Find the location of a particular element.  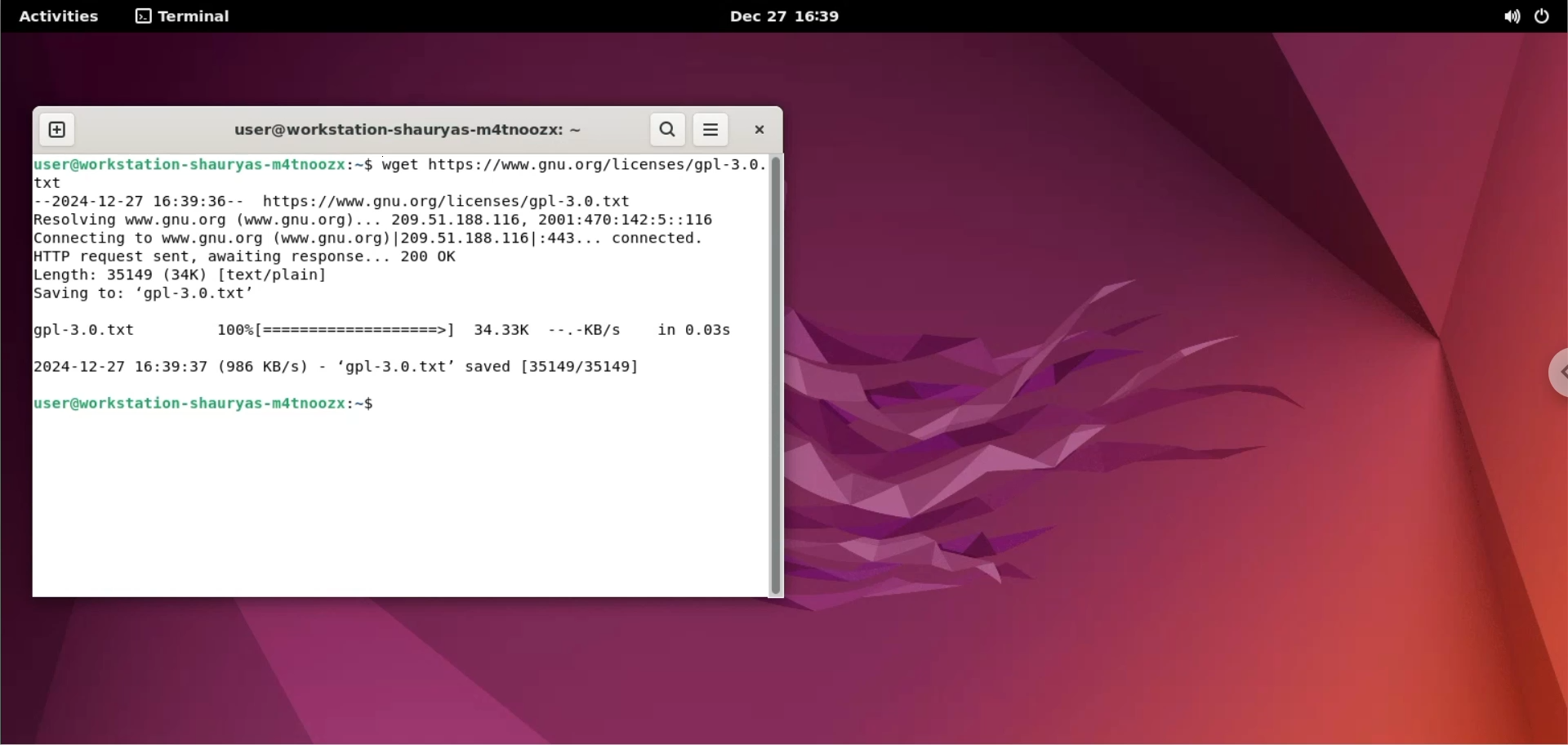

user@workstation-shauryas-m4tnoozx: ~ is located at coordinates (399, 129).